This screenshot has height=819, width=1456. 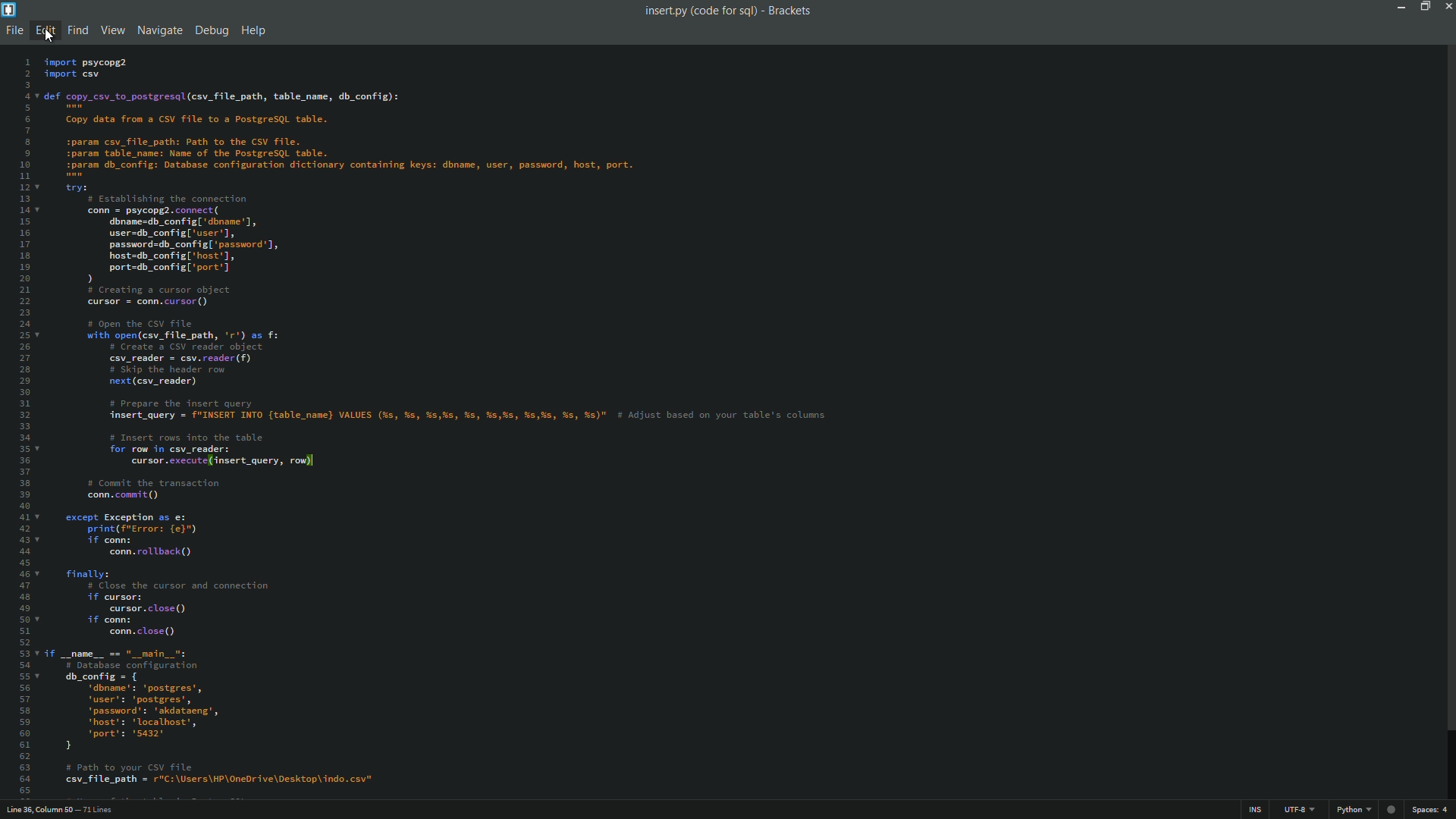 What do you see at coordinates (256, 30) in the screenshot?
I see `help menu` at bounding box center [256, 30].